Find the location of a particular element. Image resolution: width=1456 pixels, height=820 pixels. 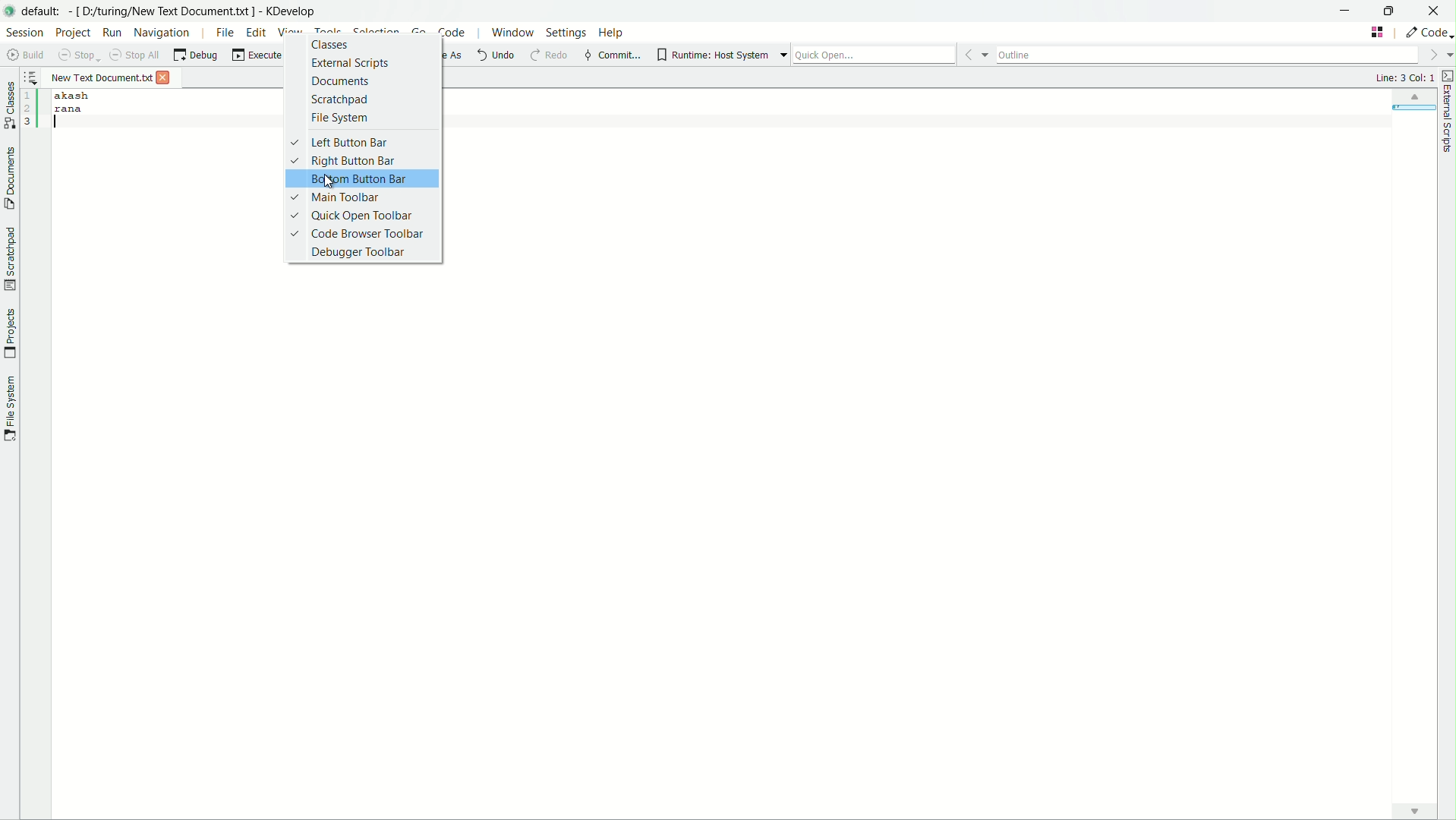

close file is located at coordinates (164, 78).